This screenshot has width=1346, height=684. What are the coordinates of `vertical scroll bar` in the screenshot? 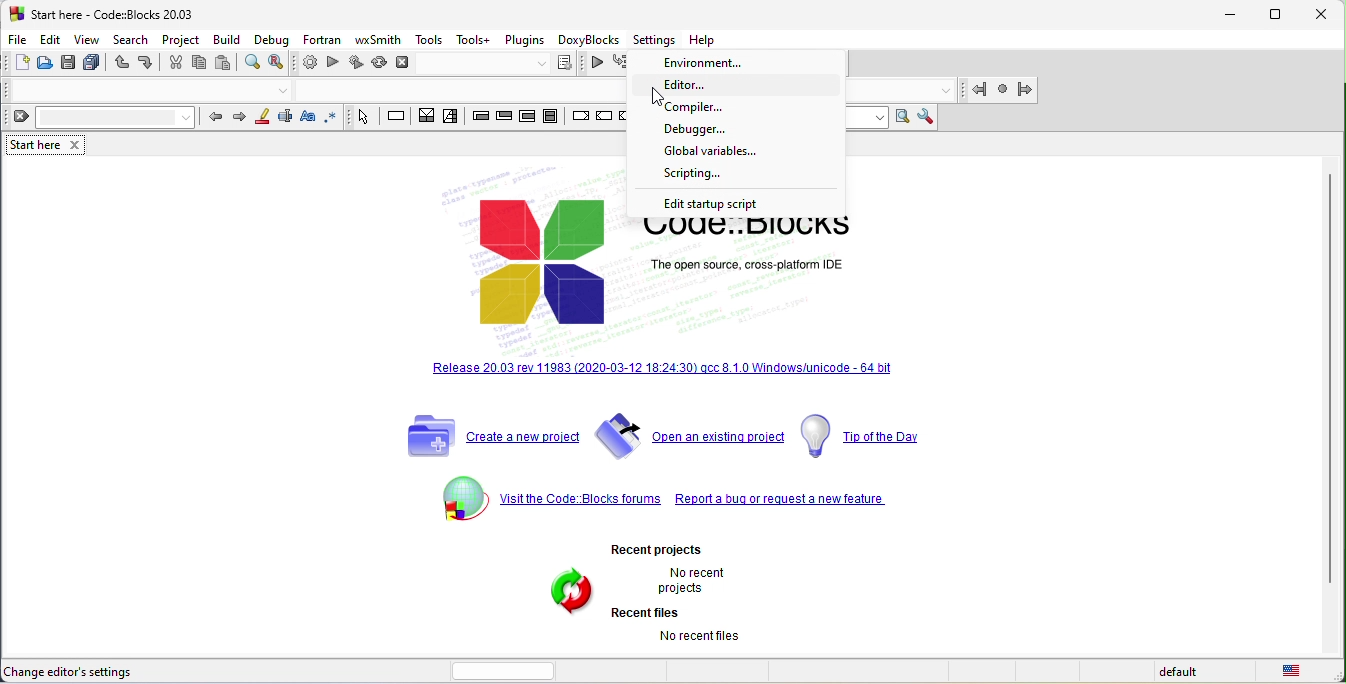 It's located at (1329, 382).